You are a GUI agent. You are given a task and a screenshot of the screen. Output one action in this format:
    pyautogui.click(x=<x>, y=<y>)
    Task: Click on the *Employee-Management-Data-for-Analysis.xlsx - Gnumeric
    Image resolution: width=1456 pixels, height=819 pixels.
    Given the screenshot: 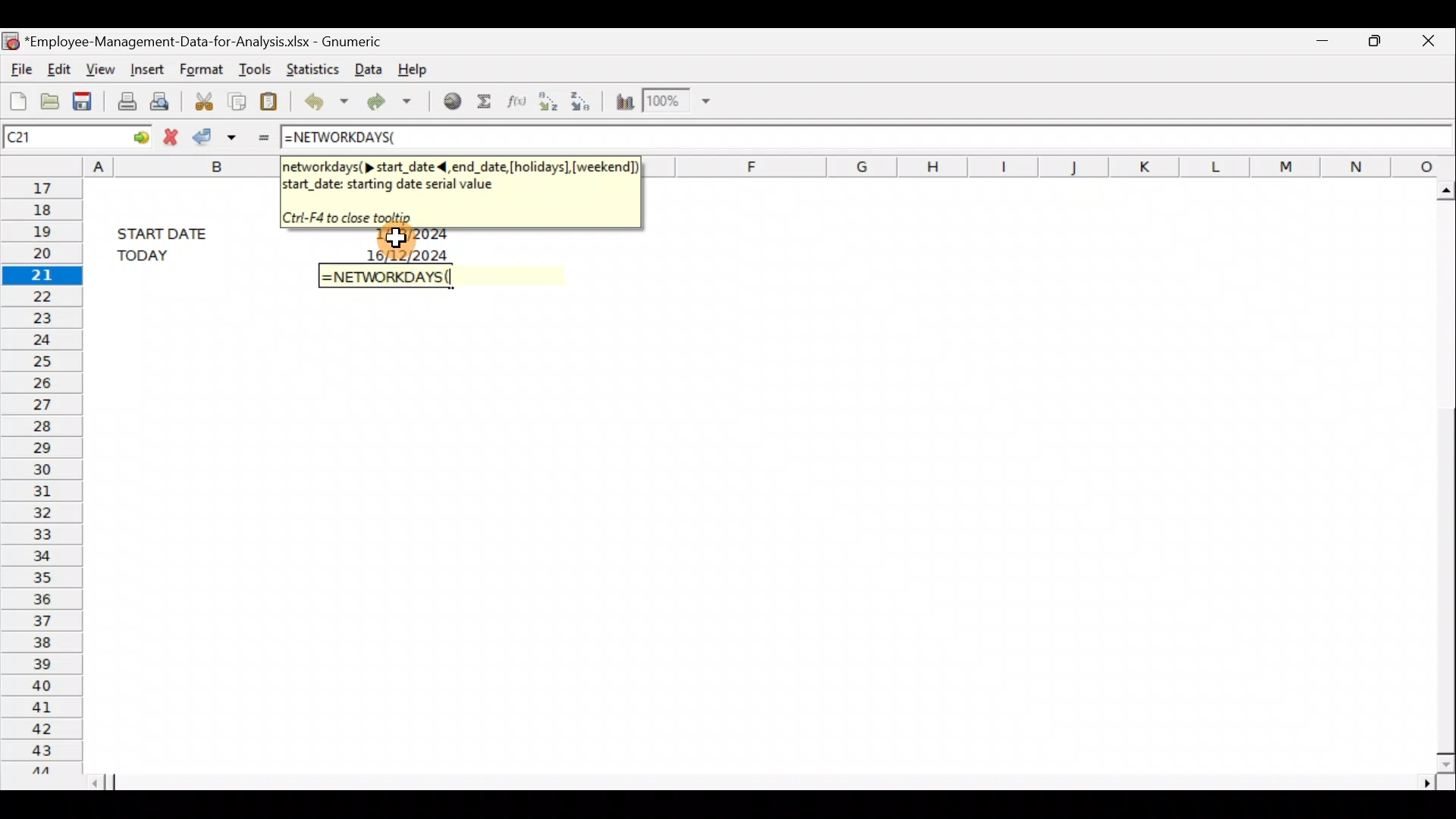 What is the action you would take?
    pyautogui.click(x=206, y=42)
    